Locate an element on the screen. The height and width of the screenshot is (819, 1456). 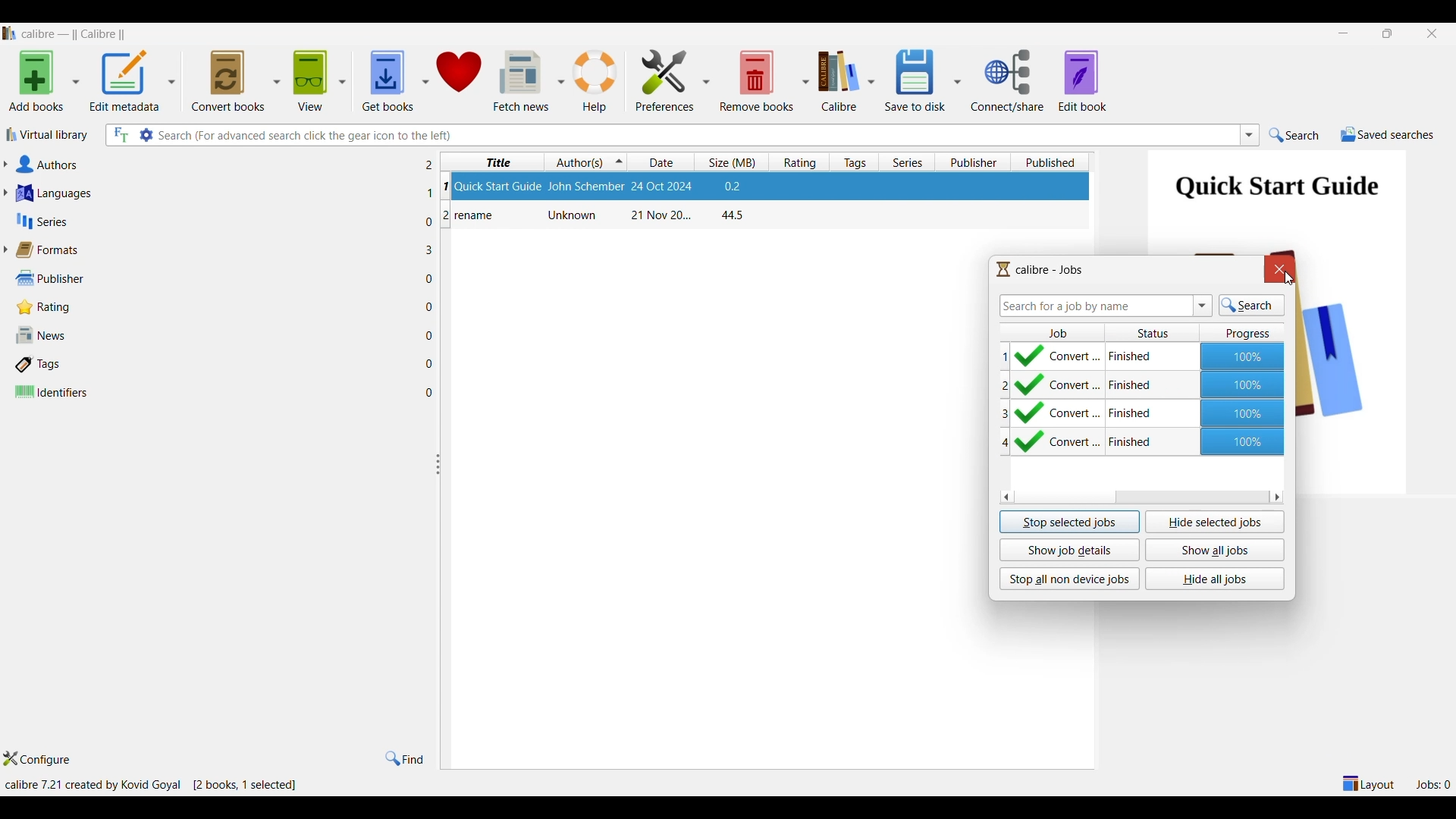
Virtual library is located at coordinates (47, 135).